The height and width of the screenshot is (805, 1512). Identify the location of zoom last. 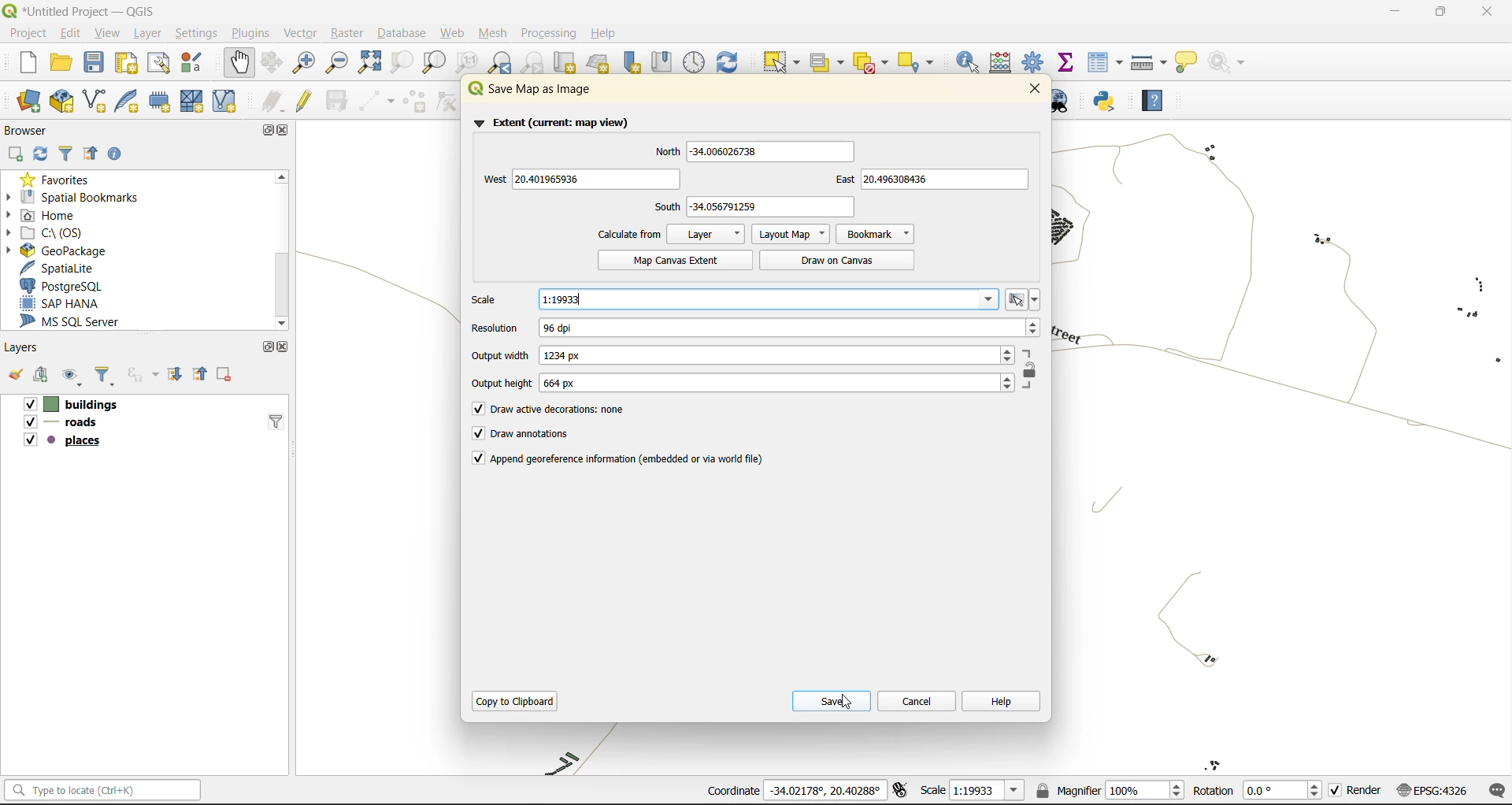
(502, 63).